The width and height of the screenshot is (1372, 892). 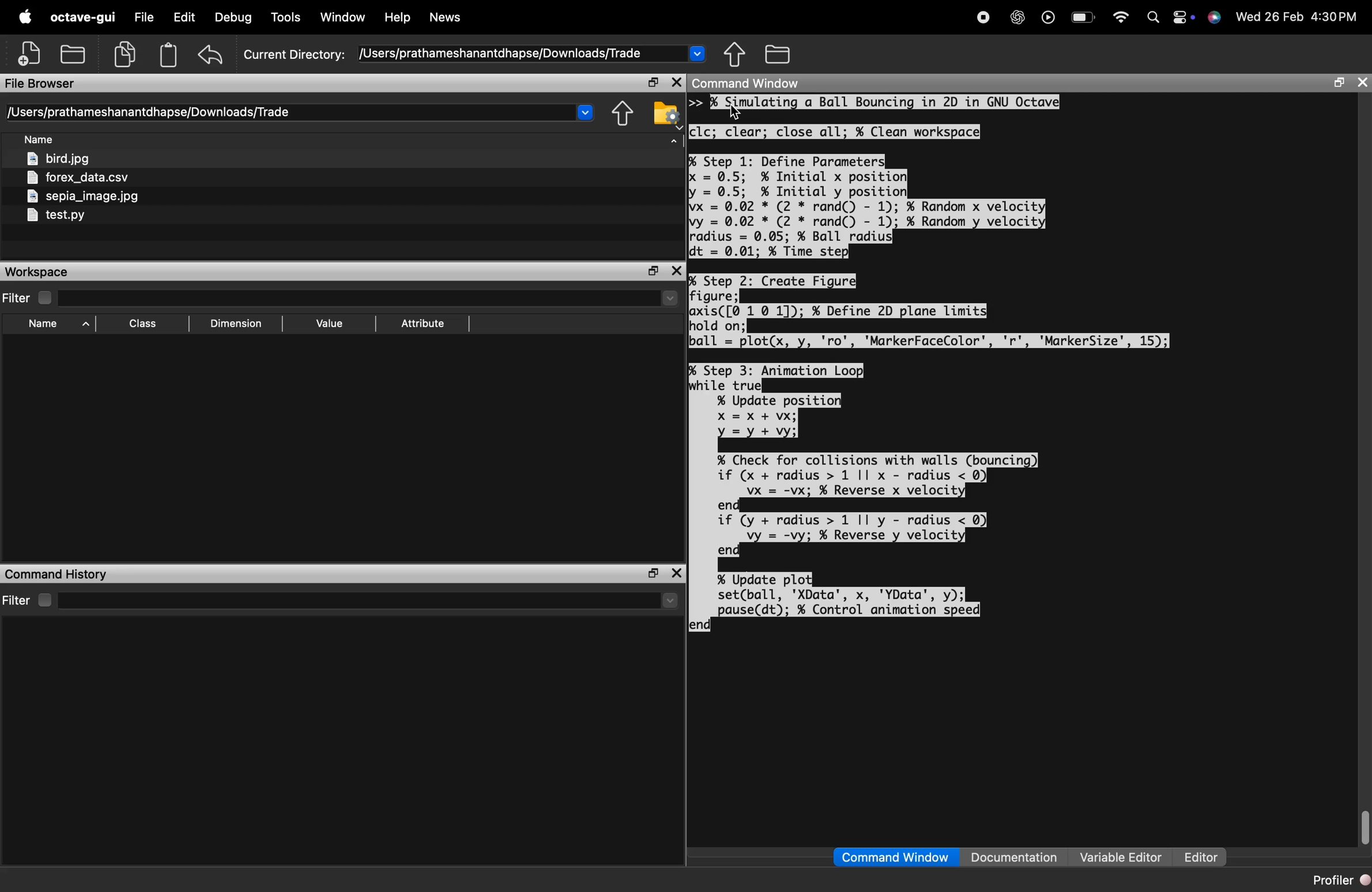 What do you see at coordinates (59, 324) in the screenshot?
I see `Name ^` at bounding box center [59, 324].